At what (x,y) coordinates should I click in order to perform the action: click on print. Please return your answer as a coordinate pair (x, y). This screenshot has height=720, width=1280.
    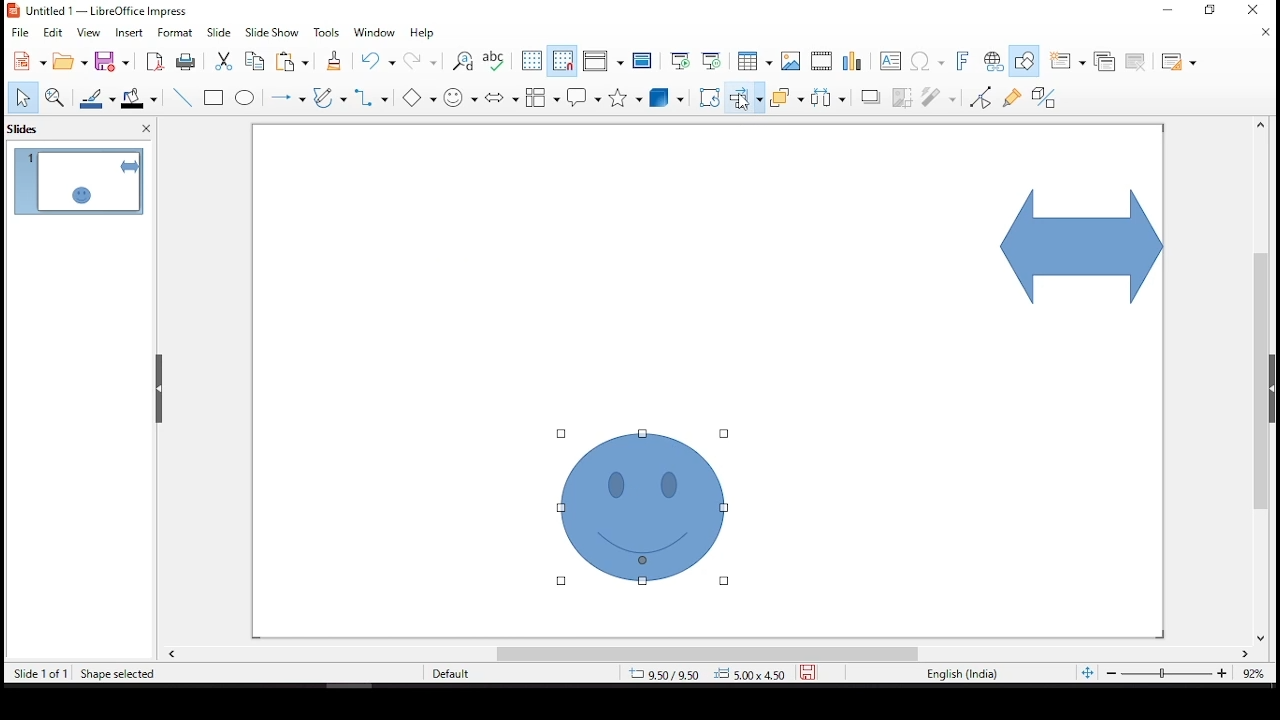
    Looking at the image, I should click on (184, 63).